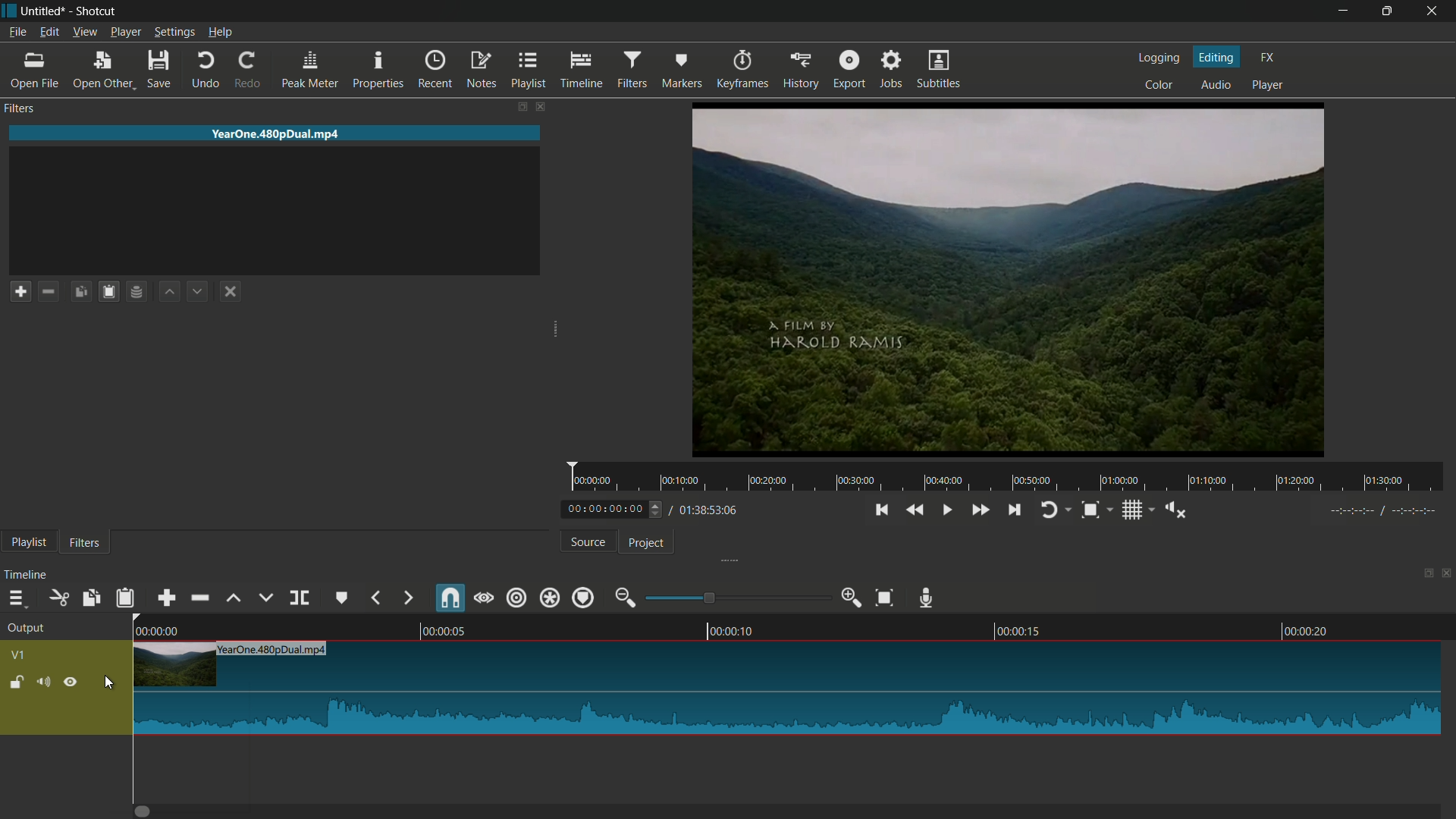 The width and height of the screenshot is (1456, 819). I want to click on save filter set, so click(136, 292).